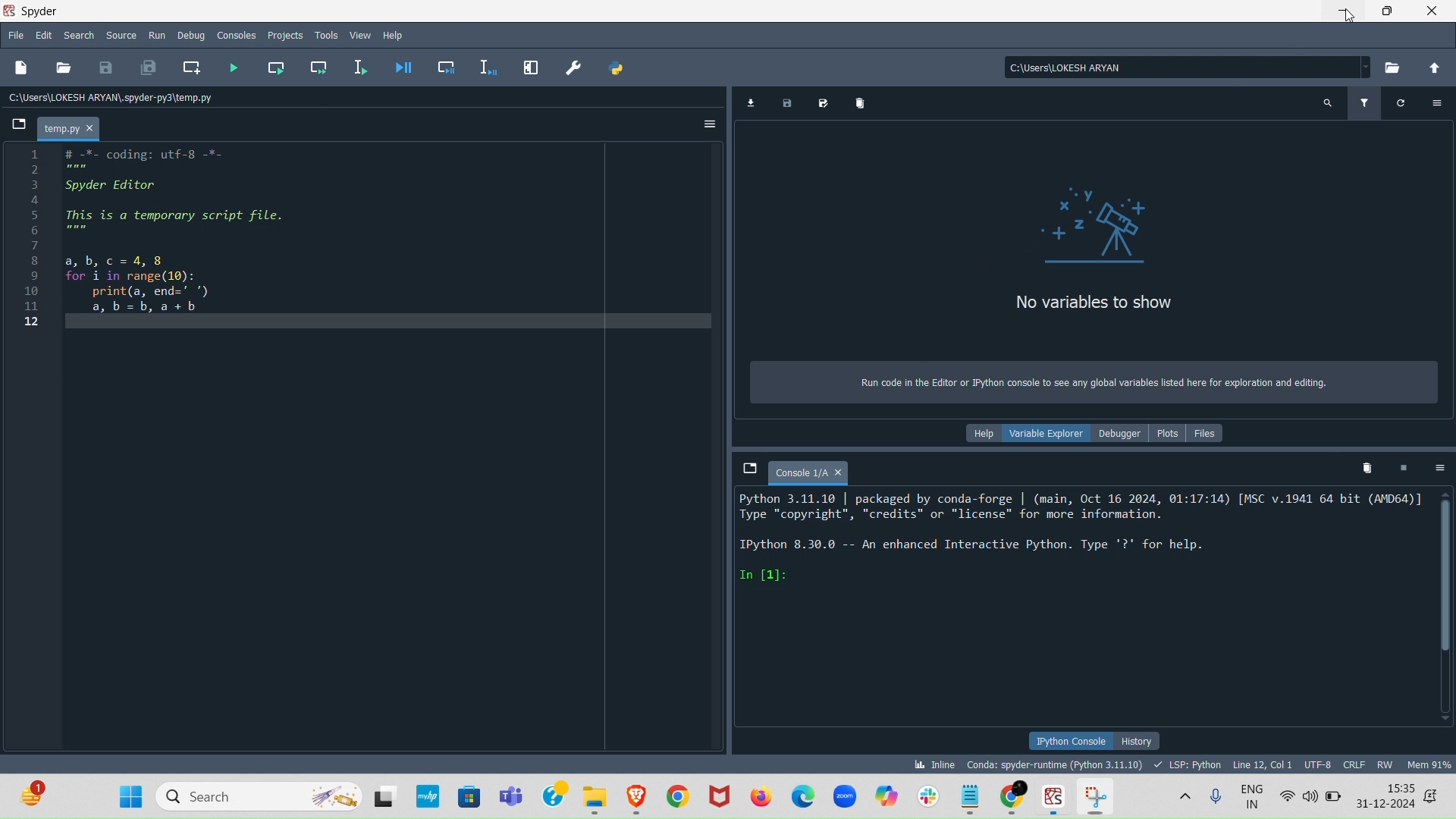 This screenshot has width=1456, height=819. I want to click on Save data as, so click(820, 102).